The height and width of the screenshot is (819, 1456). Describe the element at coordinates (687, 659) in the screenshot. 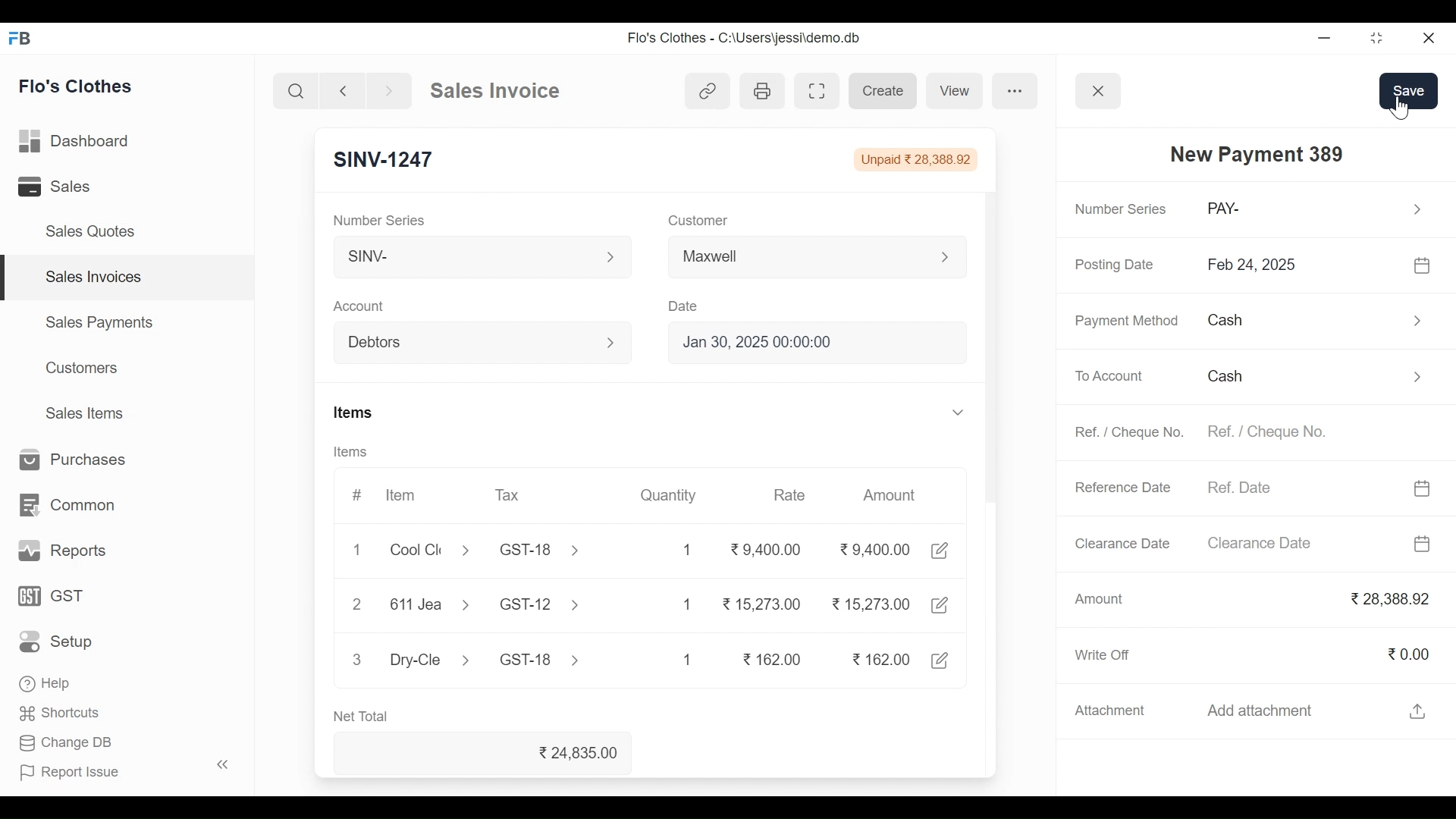

I see `1` at that location.